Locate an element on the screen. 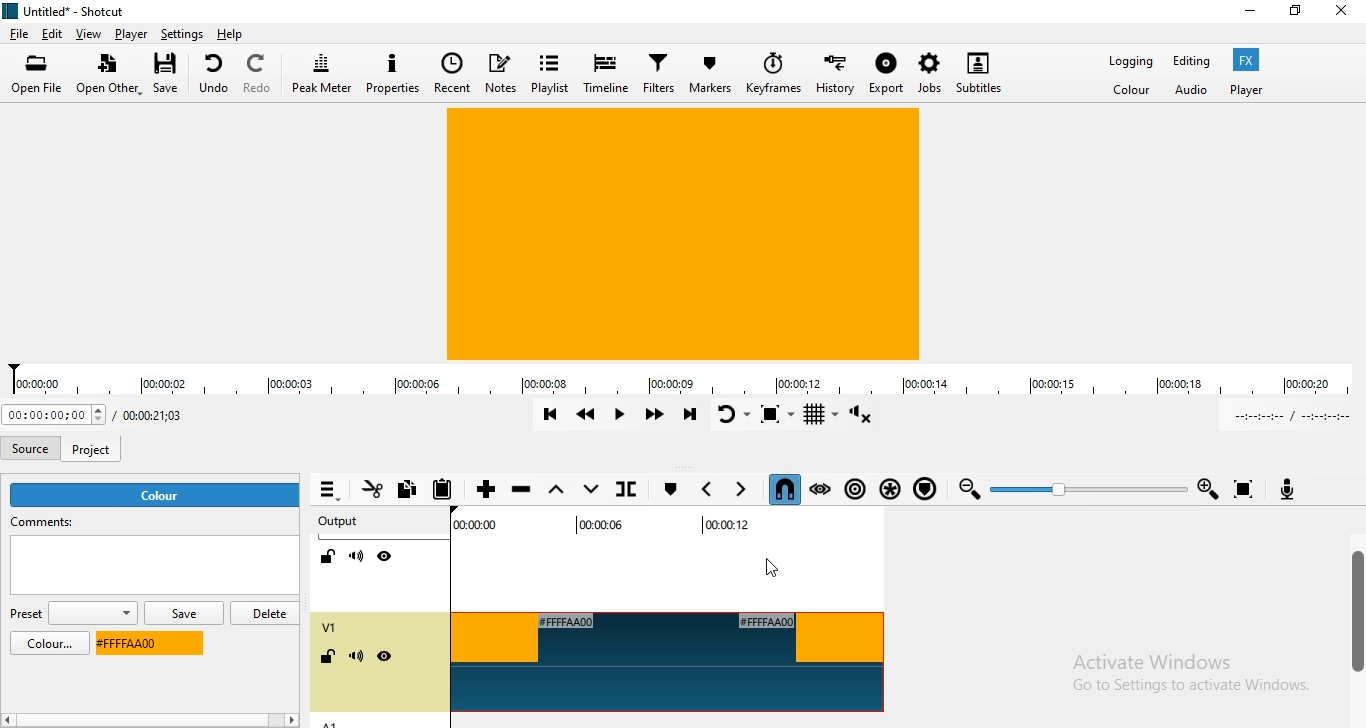 The height and width of the screenshot is (728, 1366). Mute is located at coordinates (357, 557).